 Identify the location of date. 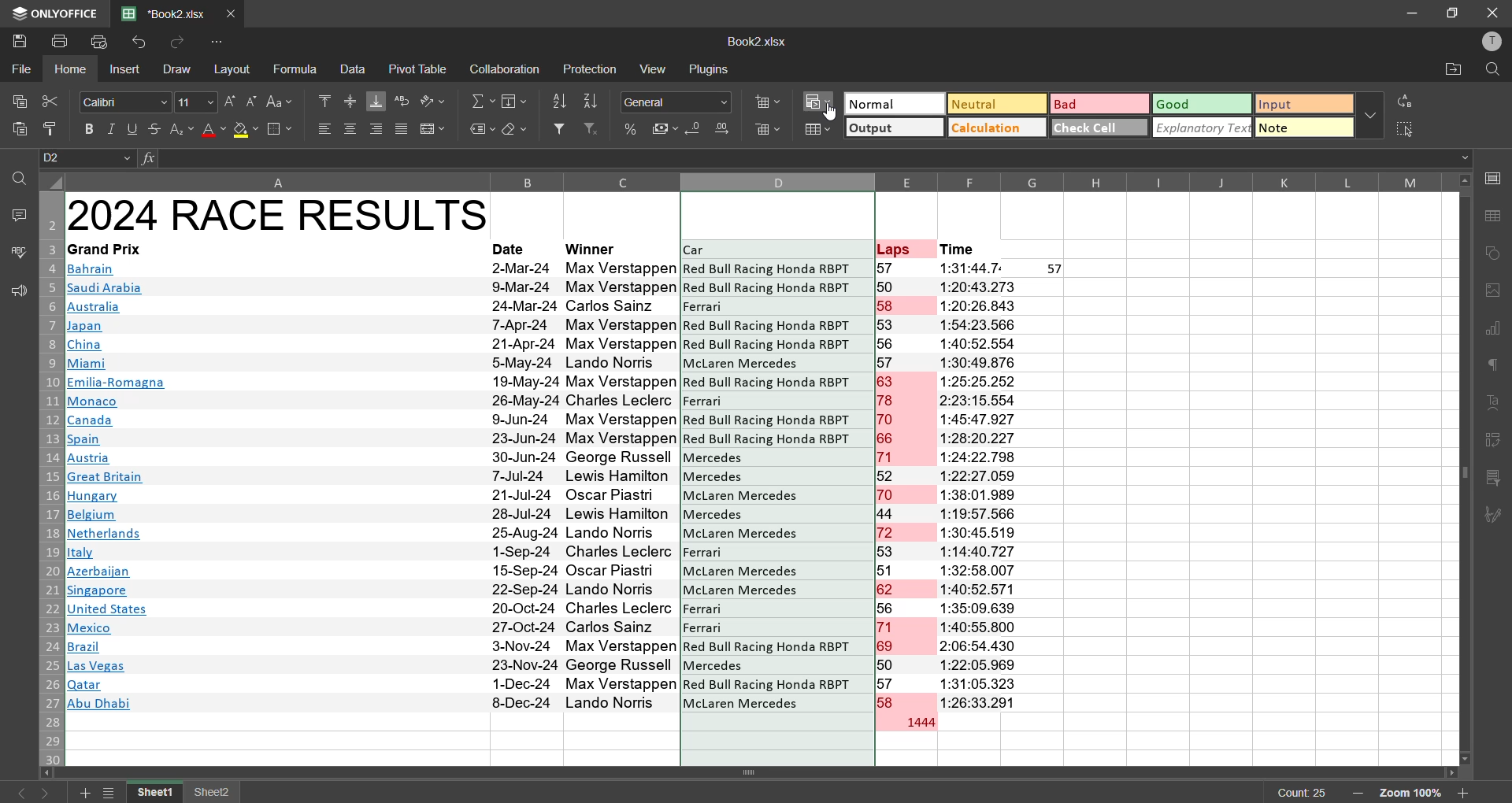
(512, 249).